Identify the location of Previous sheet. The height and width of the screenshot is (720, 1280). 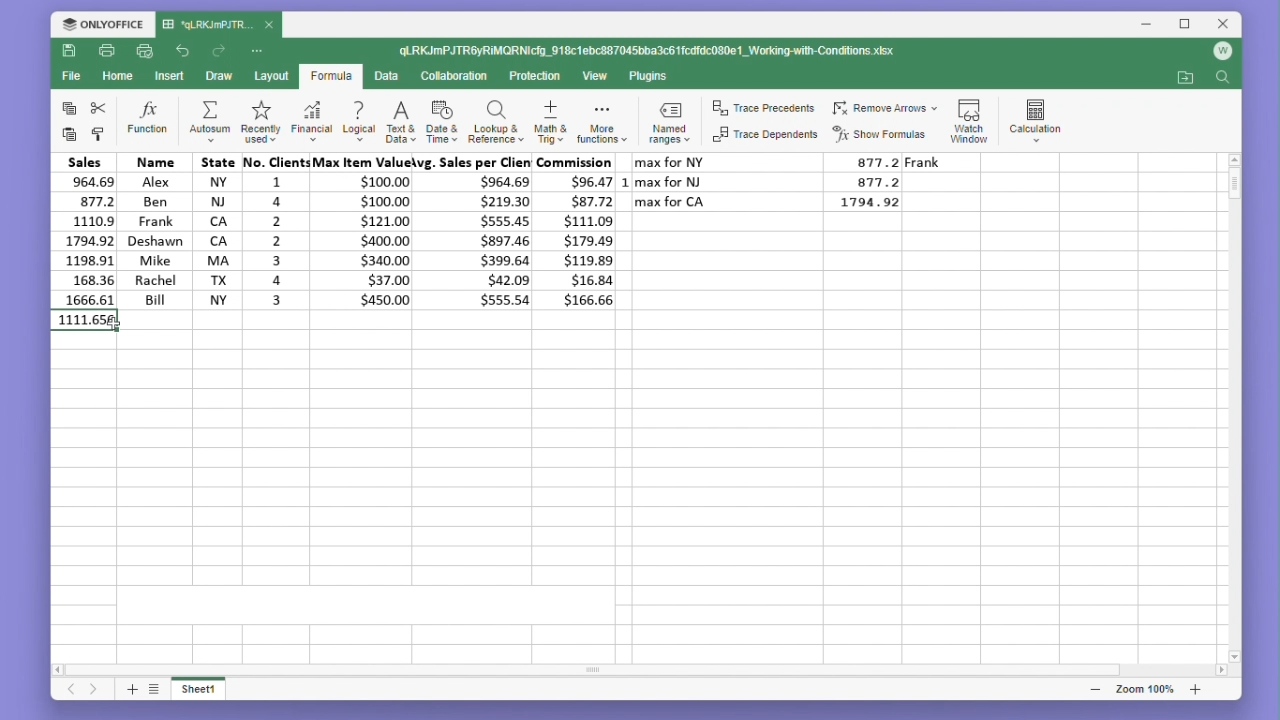
(64, 693).